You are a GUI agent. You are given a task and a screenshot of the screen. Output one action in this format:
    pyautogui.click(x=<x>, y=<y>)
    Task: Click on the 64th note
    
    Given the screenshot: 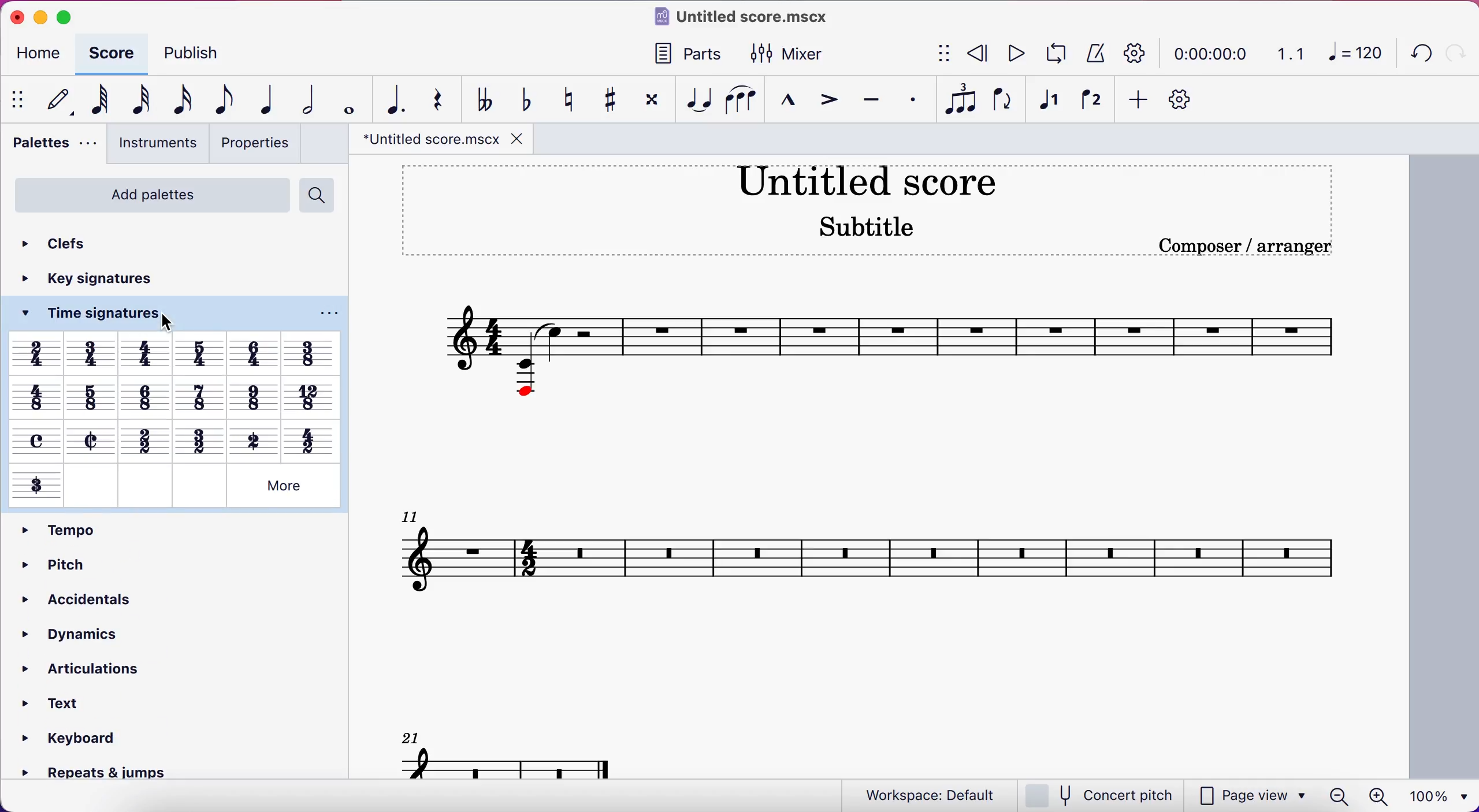 What is the action you would take?
    pyautogui.click(x=98, y=99)
    